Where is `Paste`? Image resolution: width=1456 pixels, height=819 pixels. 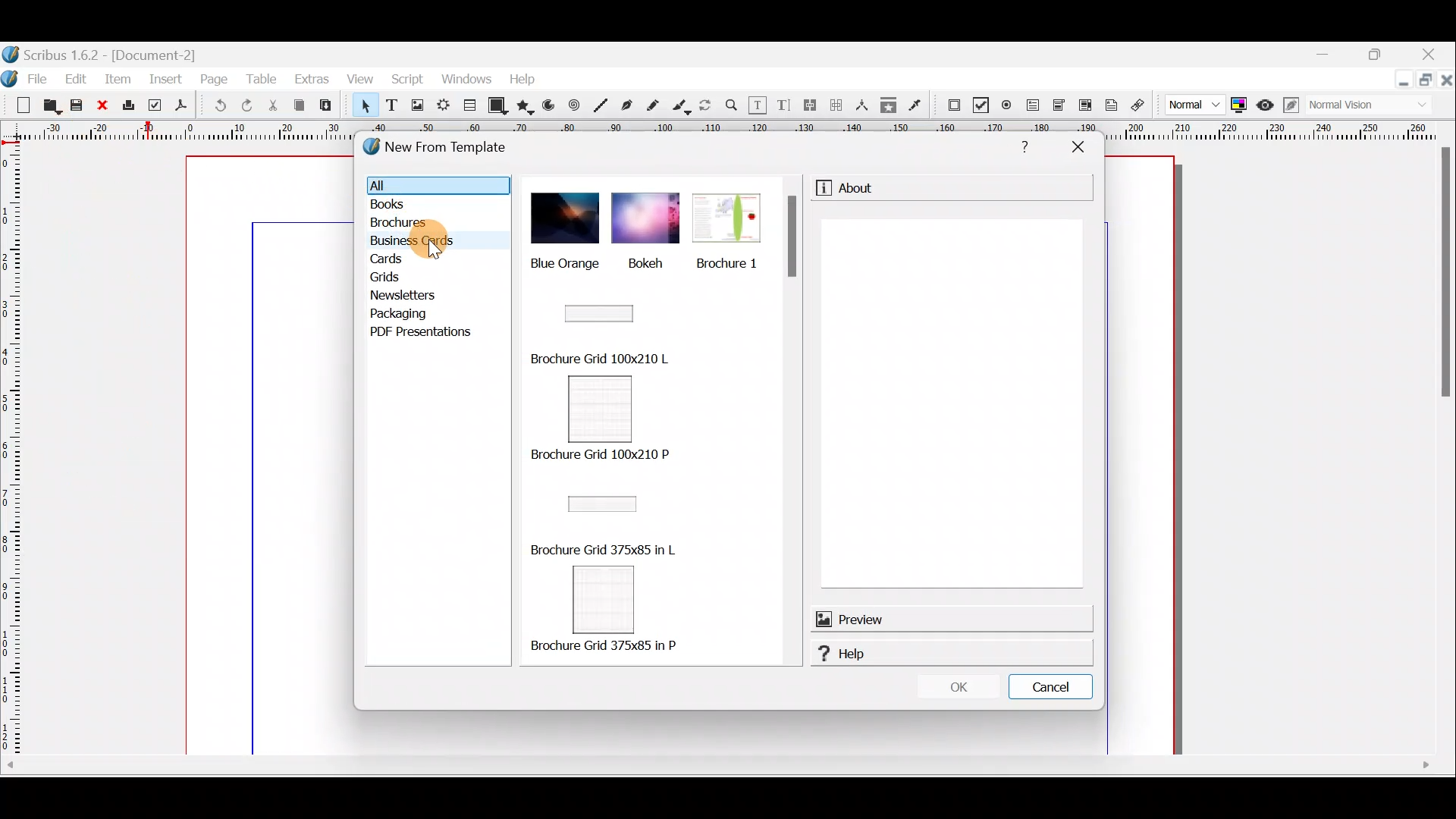
Paste is located at coordinates (325, 105).